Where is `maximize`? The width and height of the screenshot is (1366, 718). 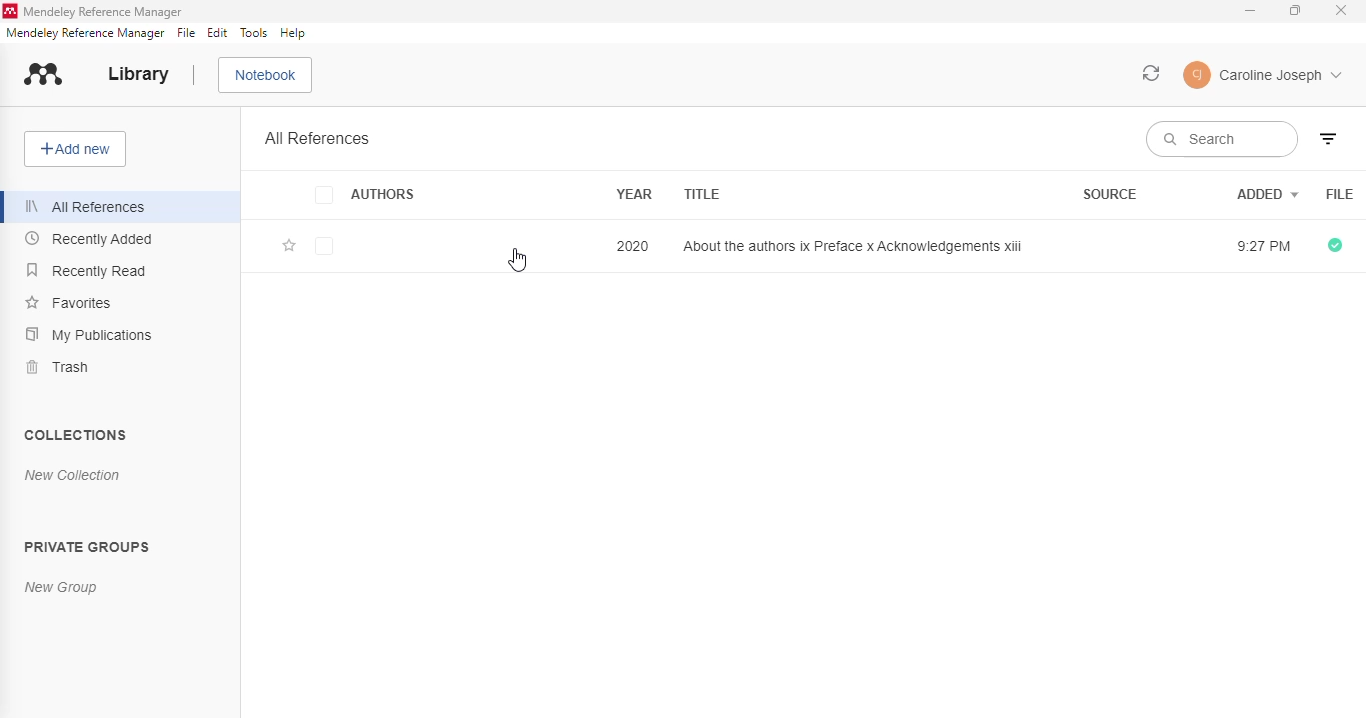
maximize is located at coordinates (1297, 11).